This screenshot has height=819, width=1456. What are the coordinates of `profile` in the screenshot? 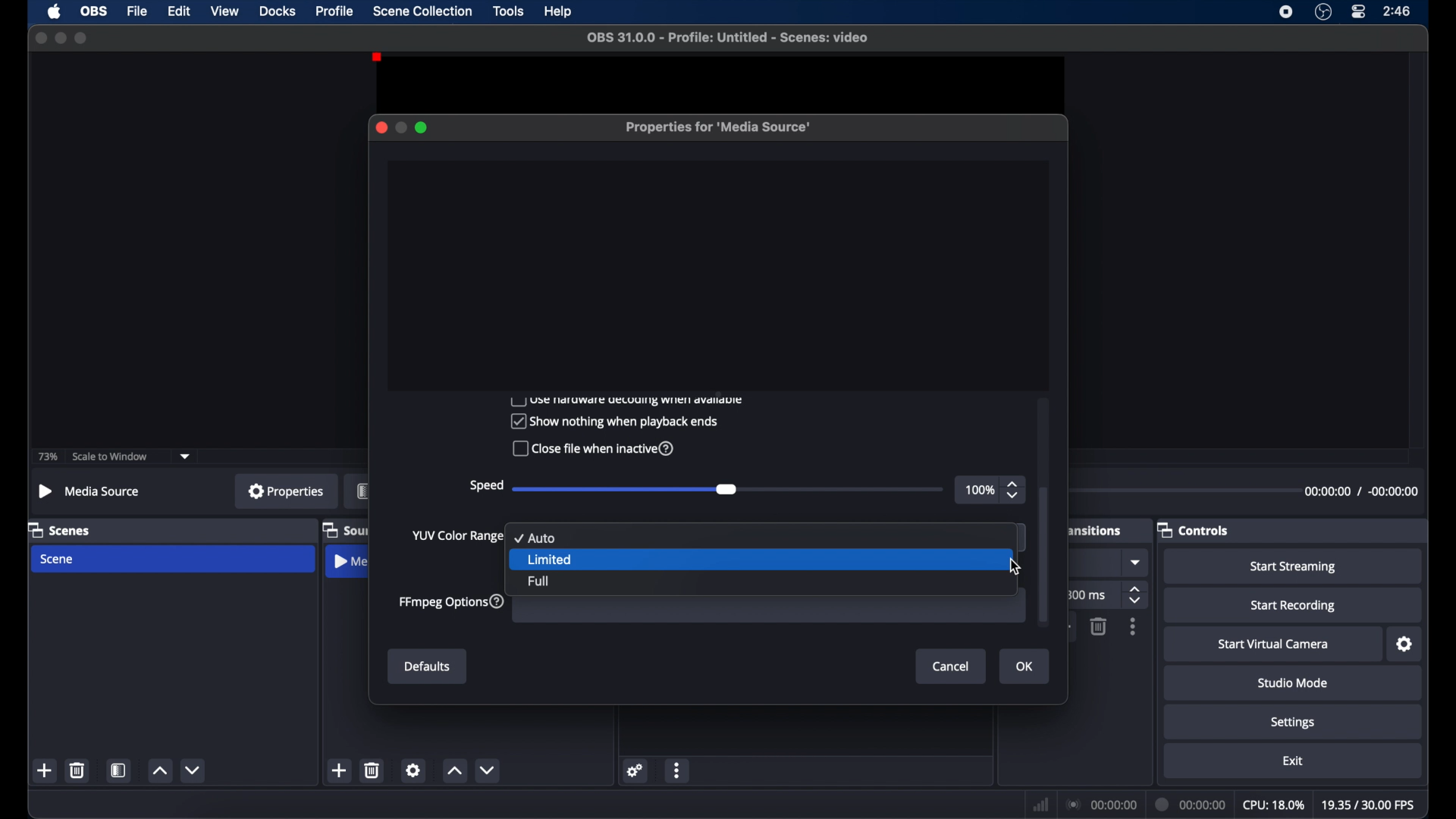 It's located at (336, 11).